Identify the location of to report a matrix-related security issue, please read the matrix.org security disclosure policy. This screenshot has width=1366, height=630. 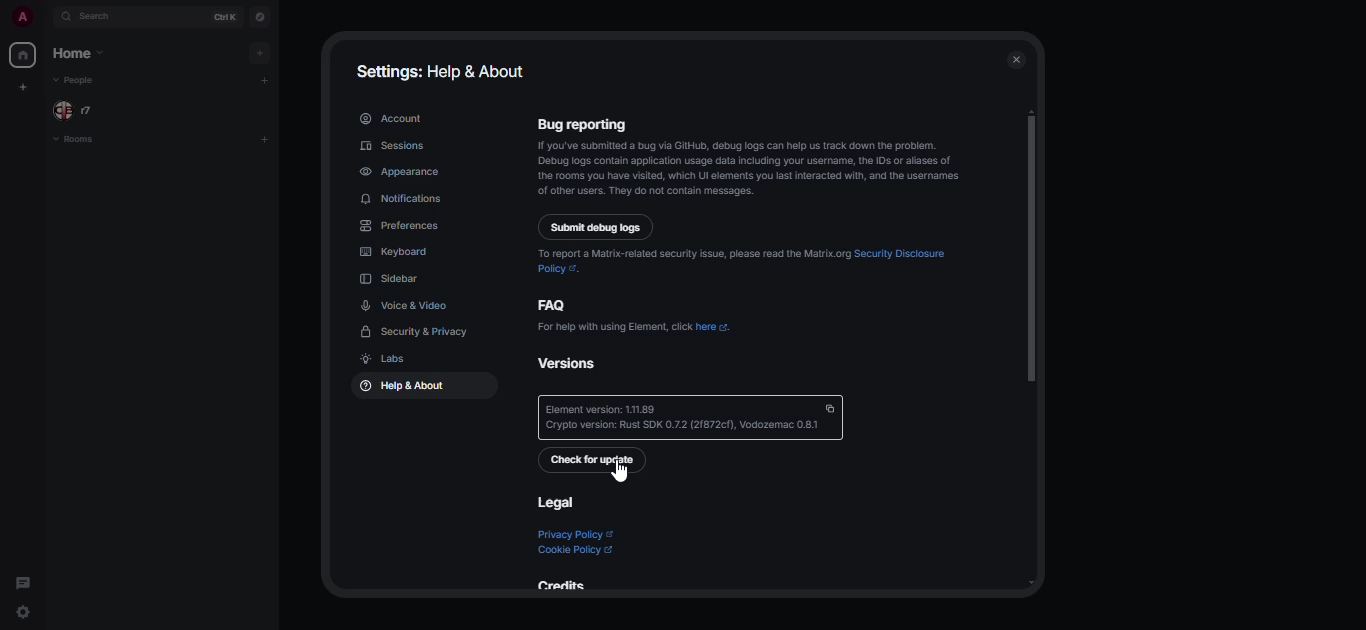
(747, 258).